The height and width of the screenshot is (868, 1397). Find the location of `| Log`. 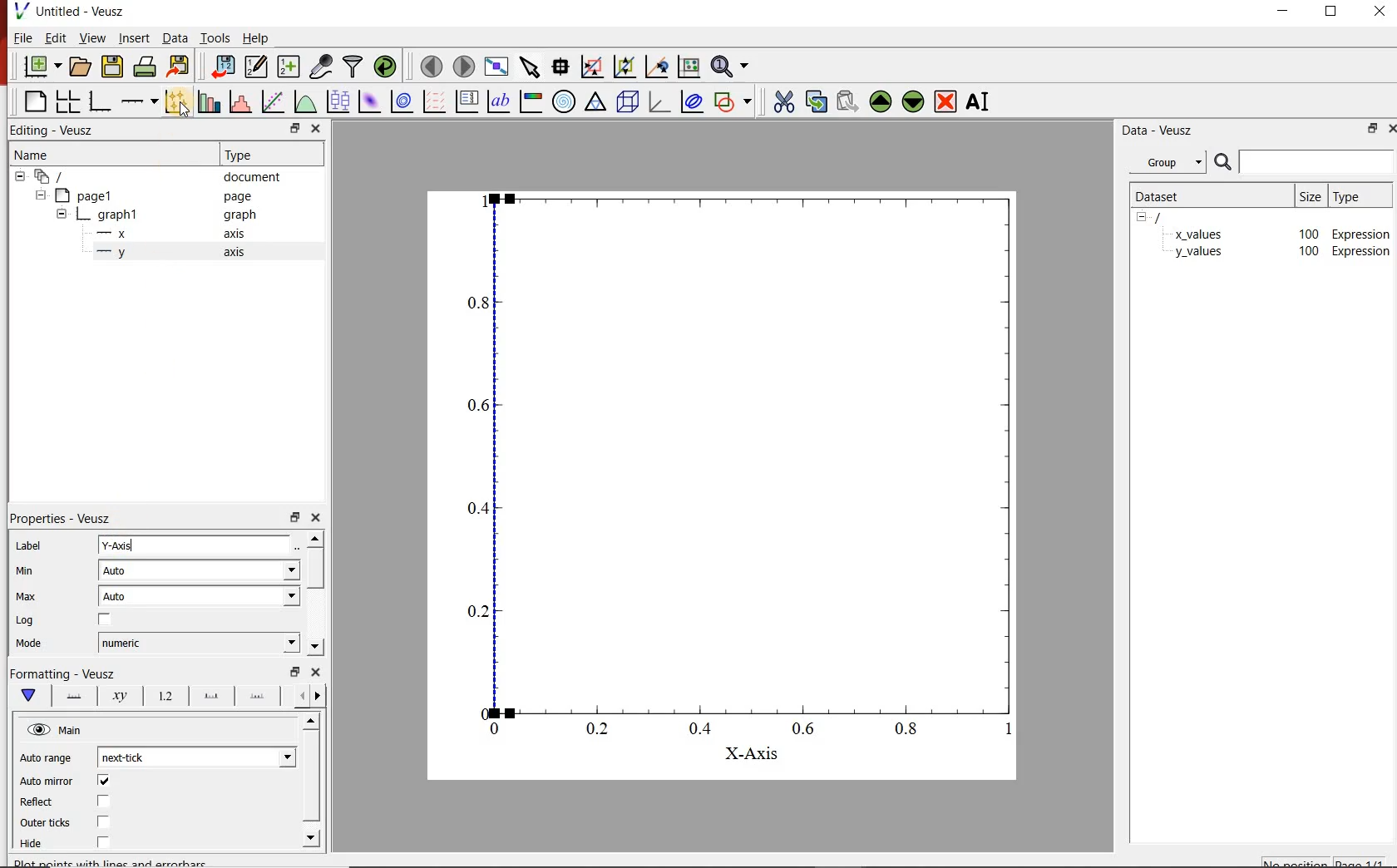

| Log is located at coordinates (27, 621).